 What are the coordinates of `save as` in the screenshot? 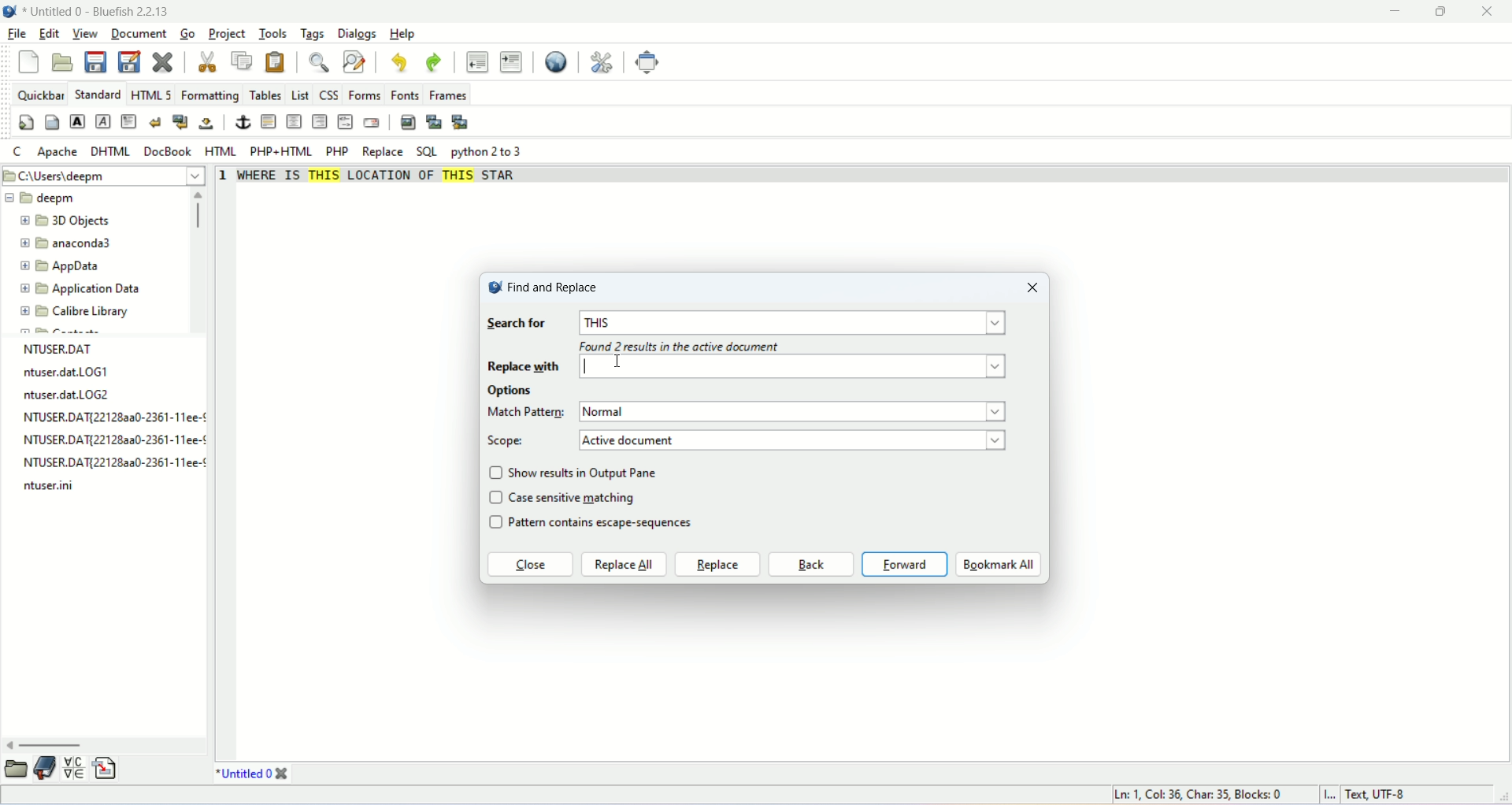 It's located at (130, 61).